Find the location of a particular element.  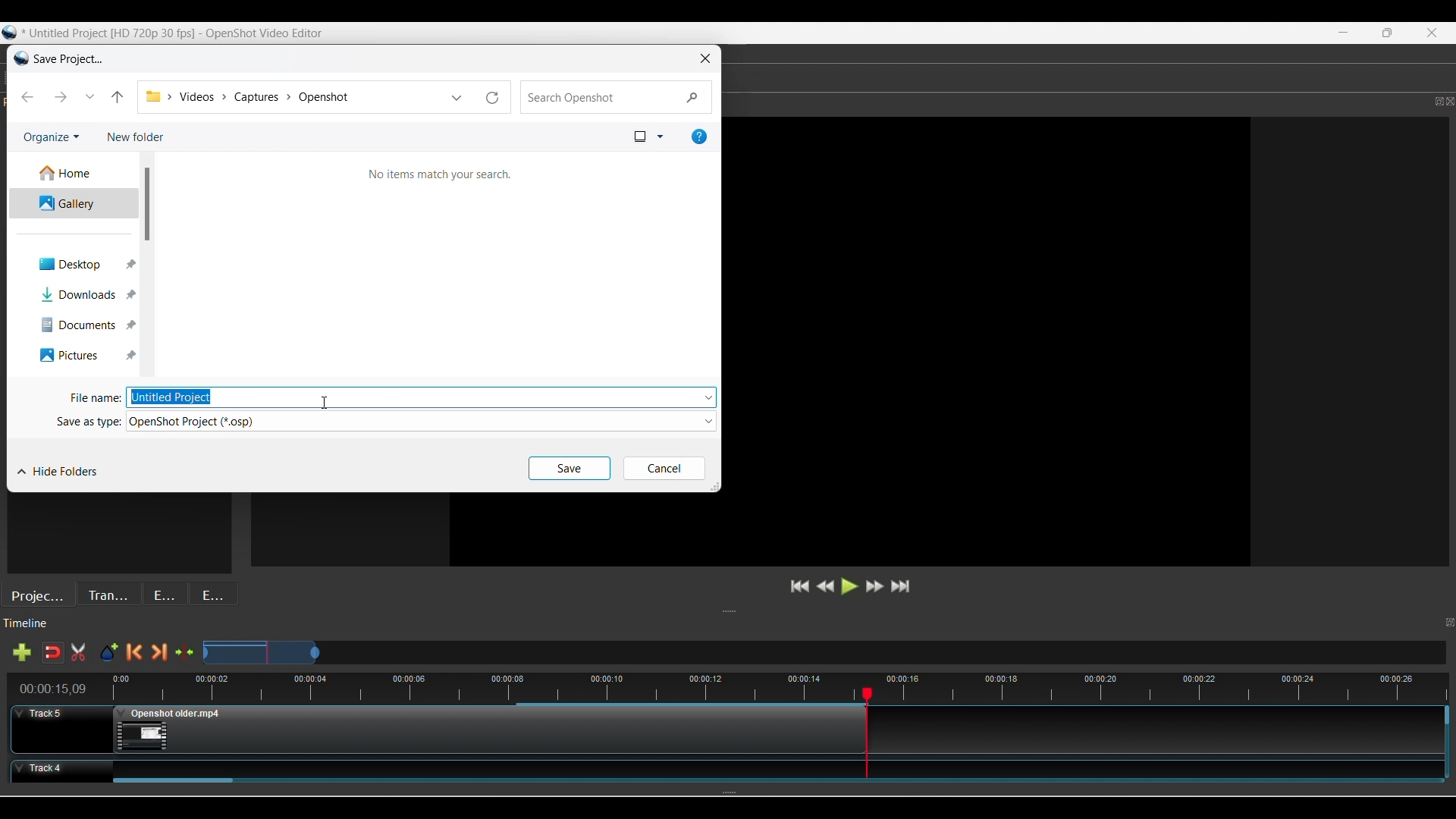

Downloads is located at coordinates (77, 294).